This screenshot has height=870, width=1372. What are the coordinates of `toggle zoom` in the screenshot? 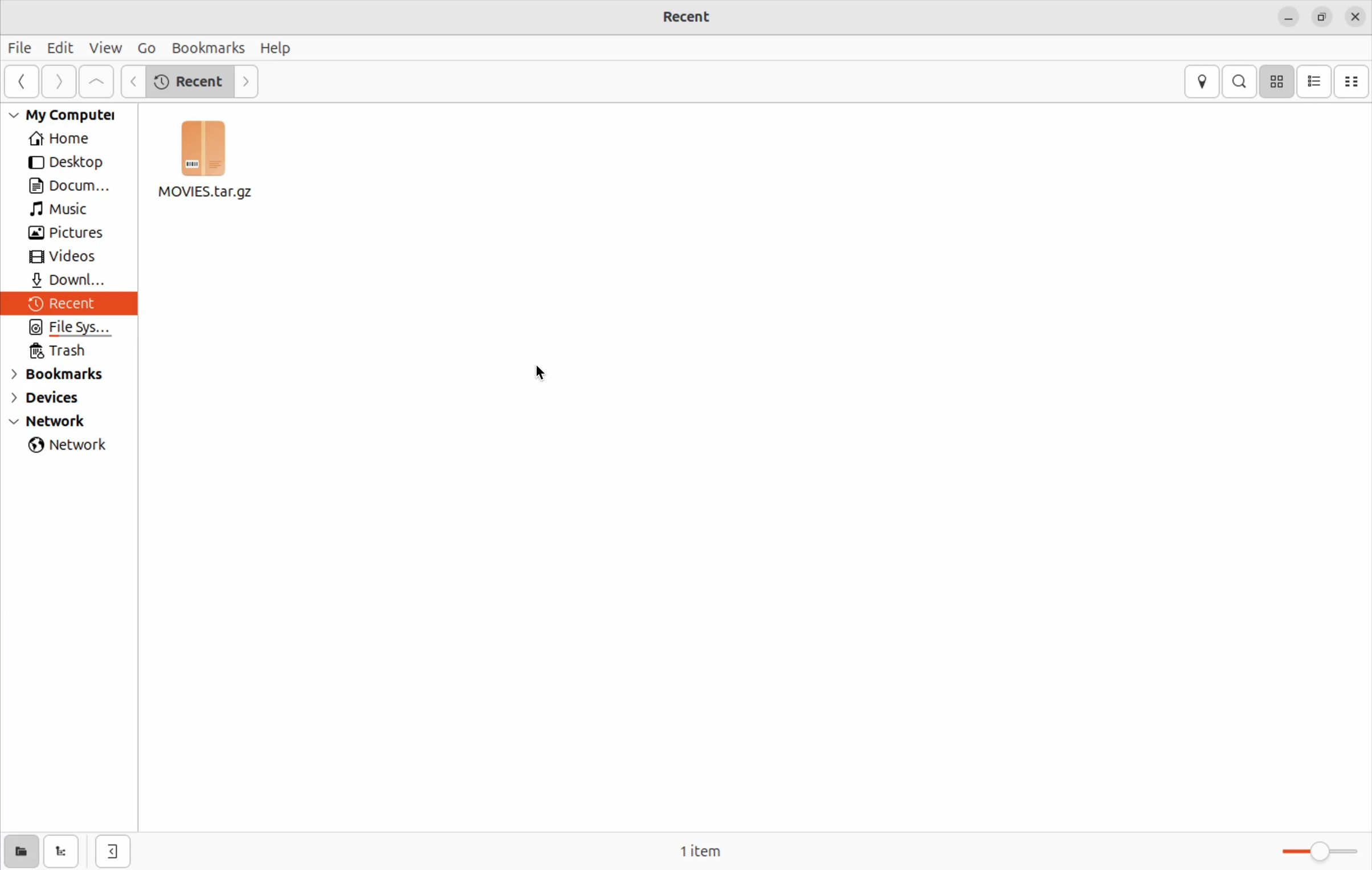 It's located at (1309, 853).